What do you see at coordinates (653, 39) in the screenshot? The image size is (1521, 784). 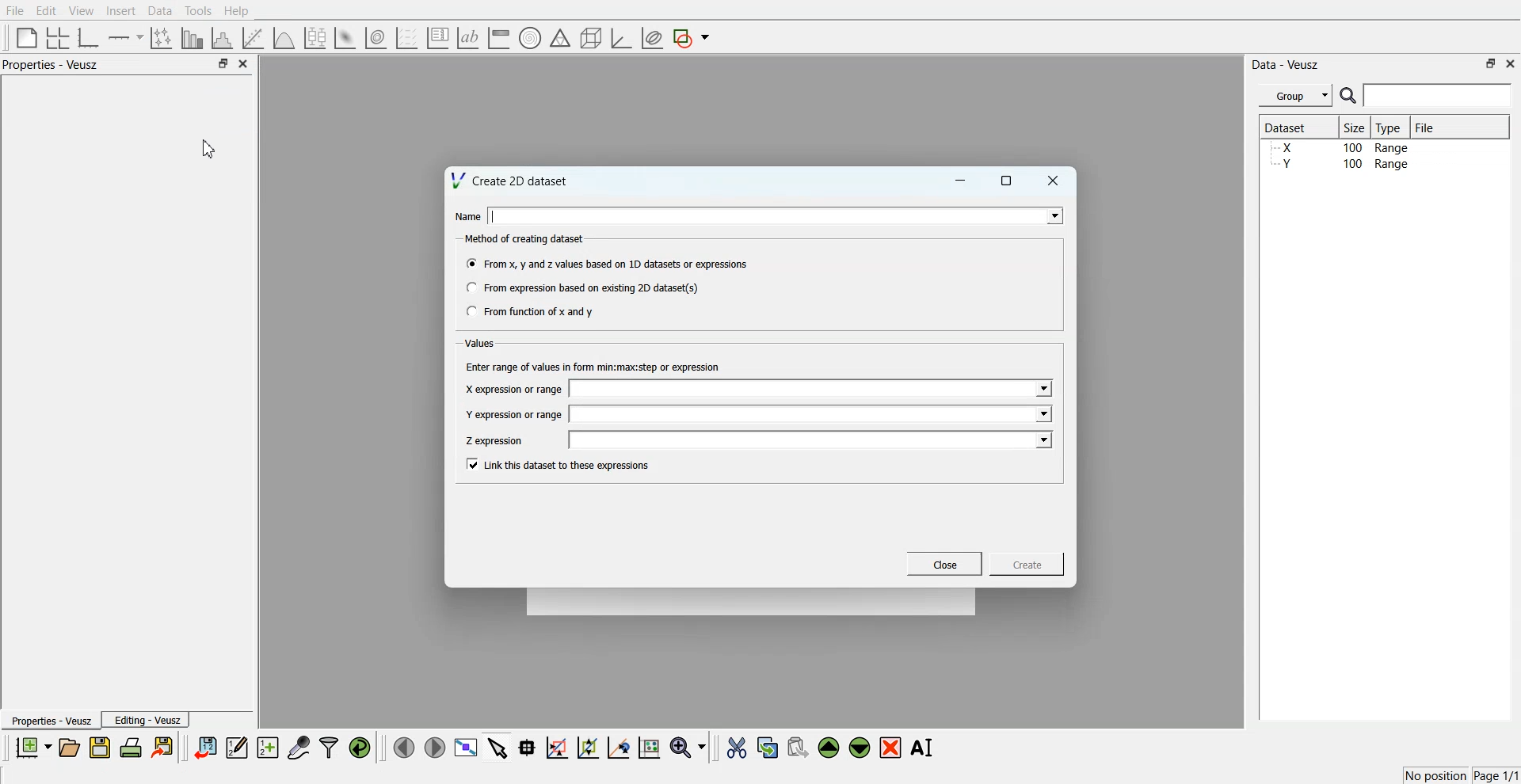 I see `Plot covariance ellipsis` at bounding box center [653, 39].